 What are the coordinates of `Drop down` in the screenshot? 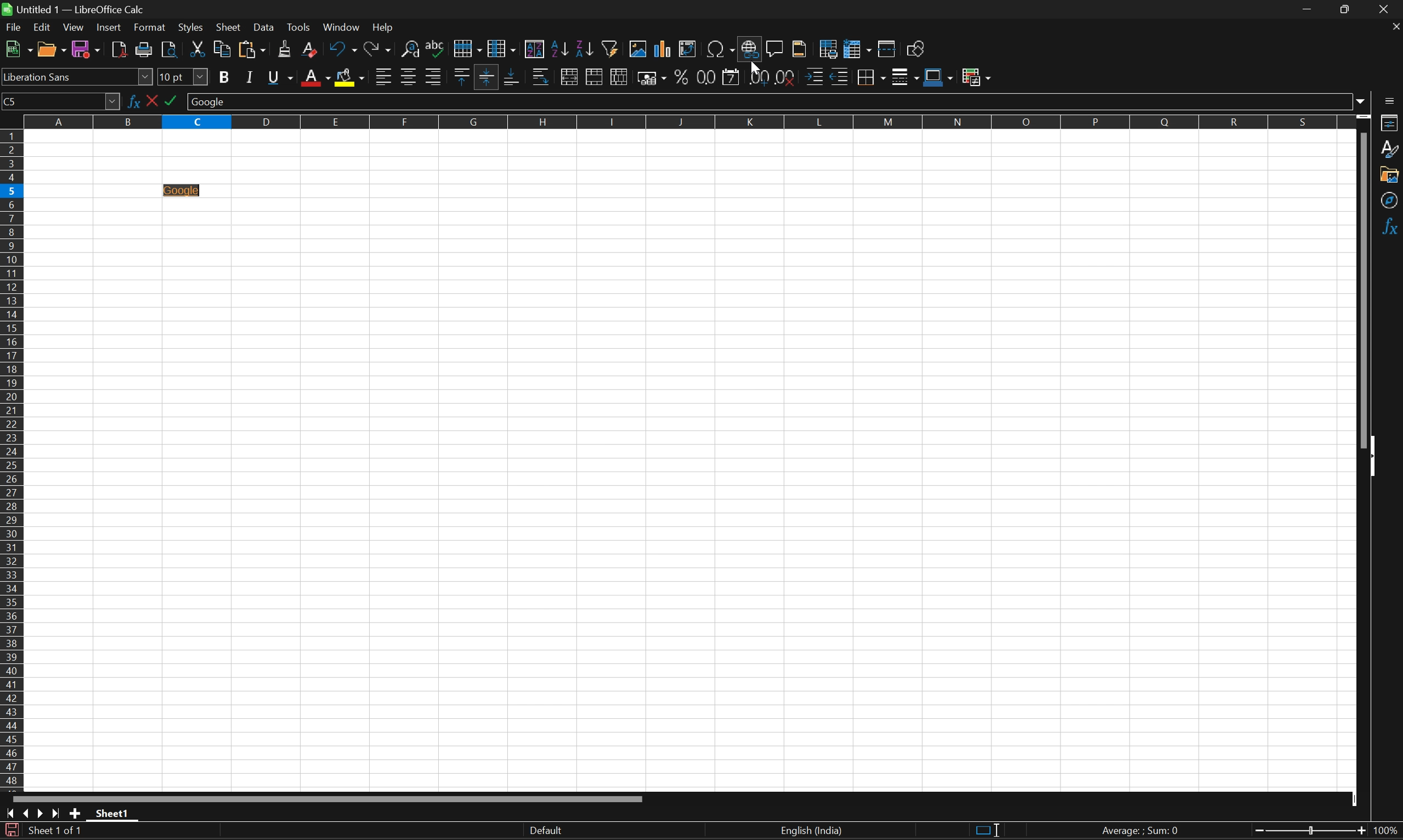 It's located at (1361, 100).